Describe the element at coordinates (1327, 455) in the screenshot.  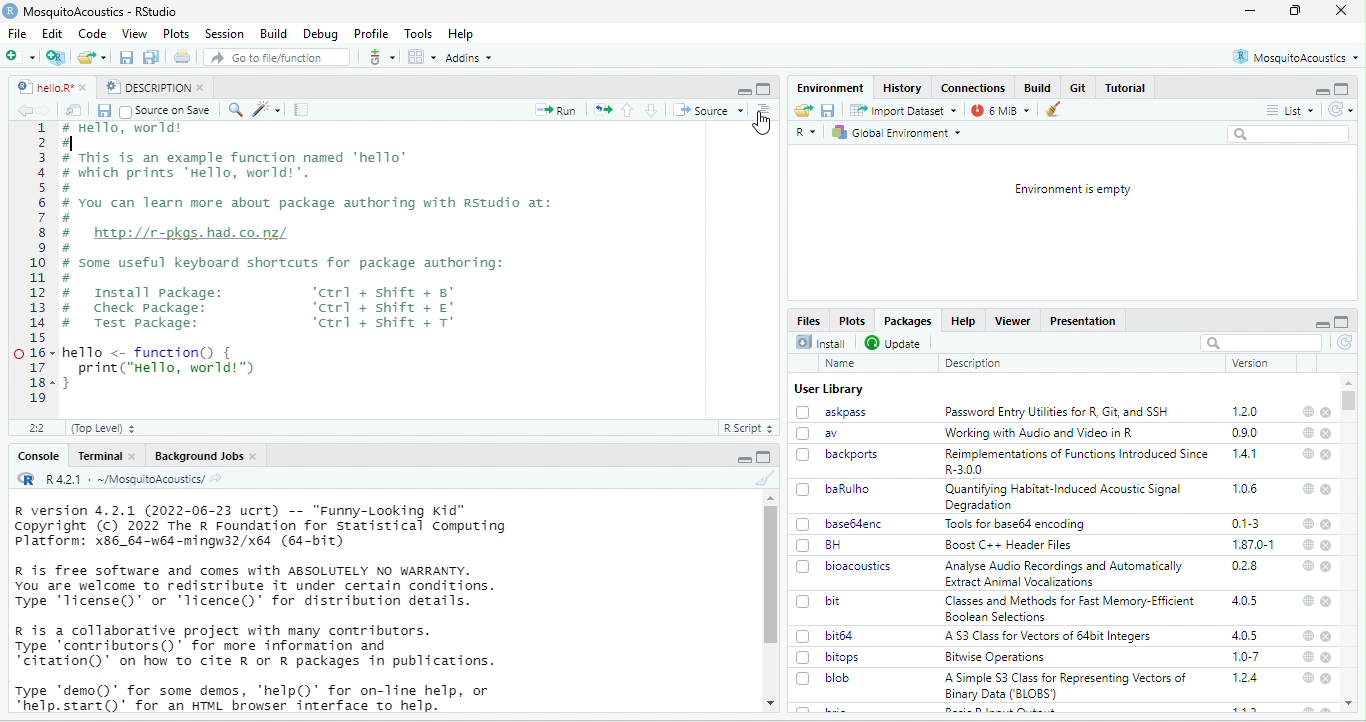
I see `close` at that location.